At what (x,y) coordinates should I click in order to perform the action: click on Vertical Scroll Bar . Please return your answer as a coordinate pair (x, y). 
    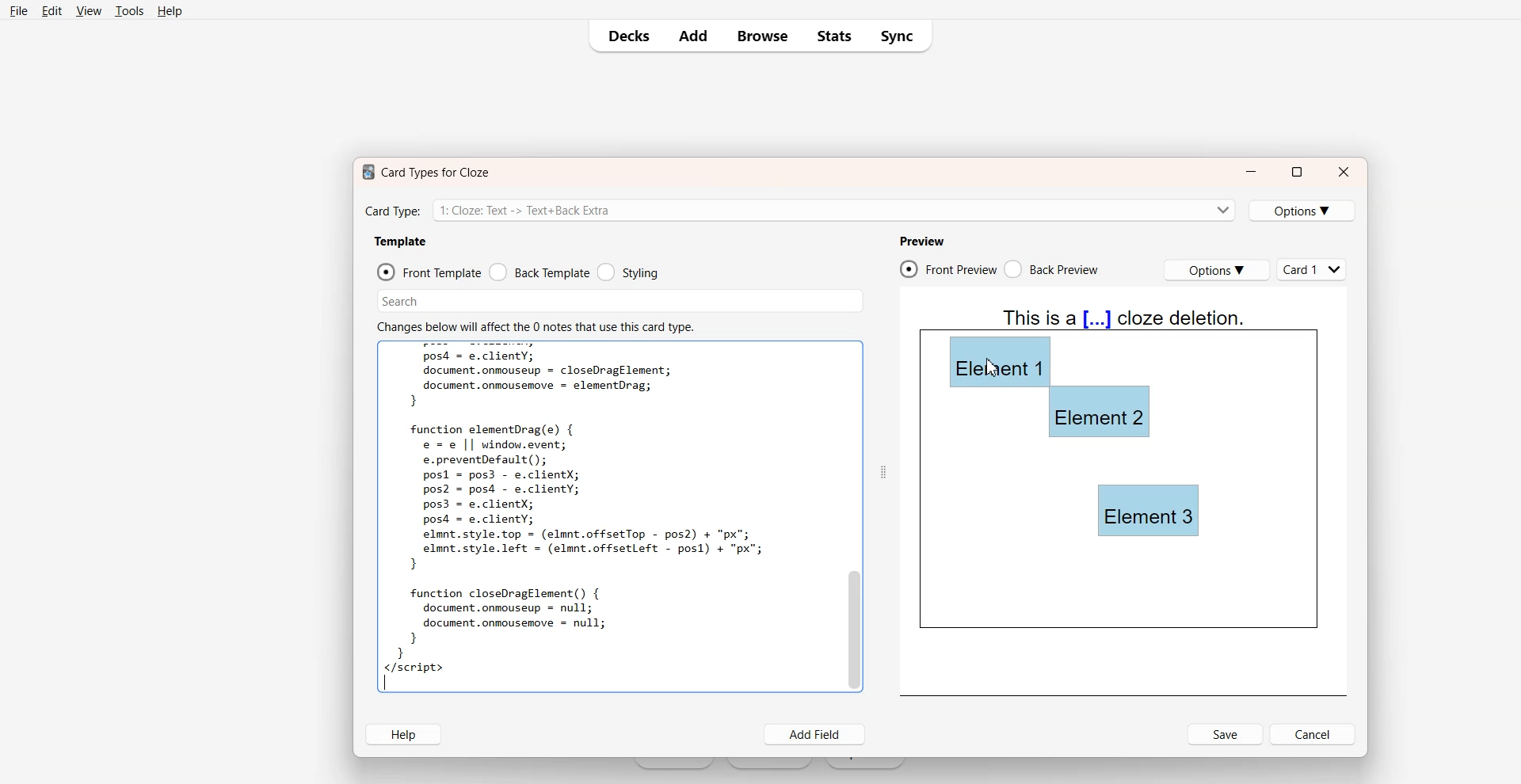
    Looking at the image, I should click on (853, 516).